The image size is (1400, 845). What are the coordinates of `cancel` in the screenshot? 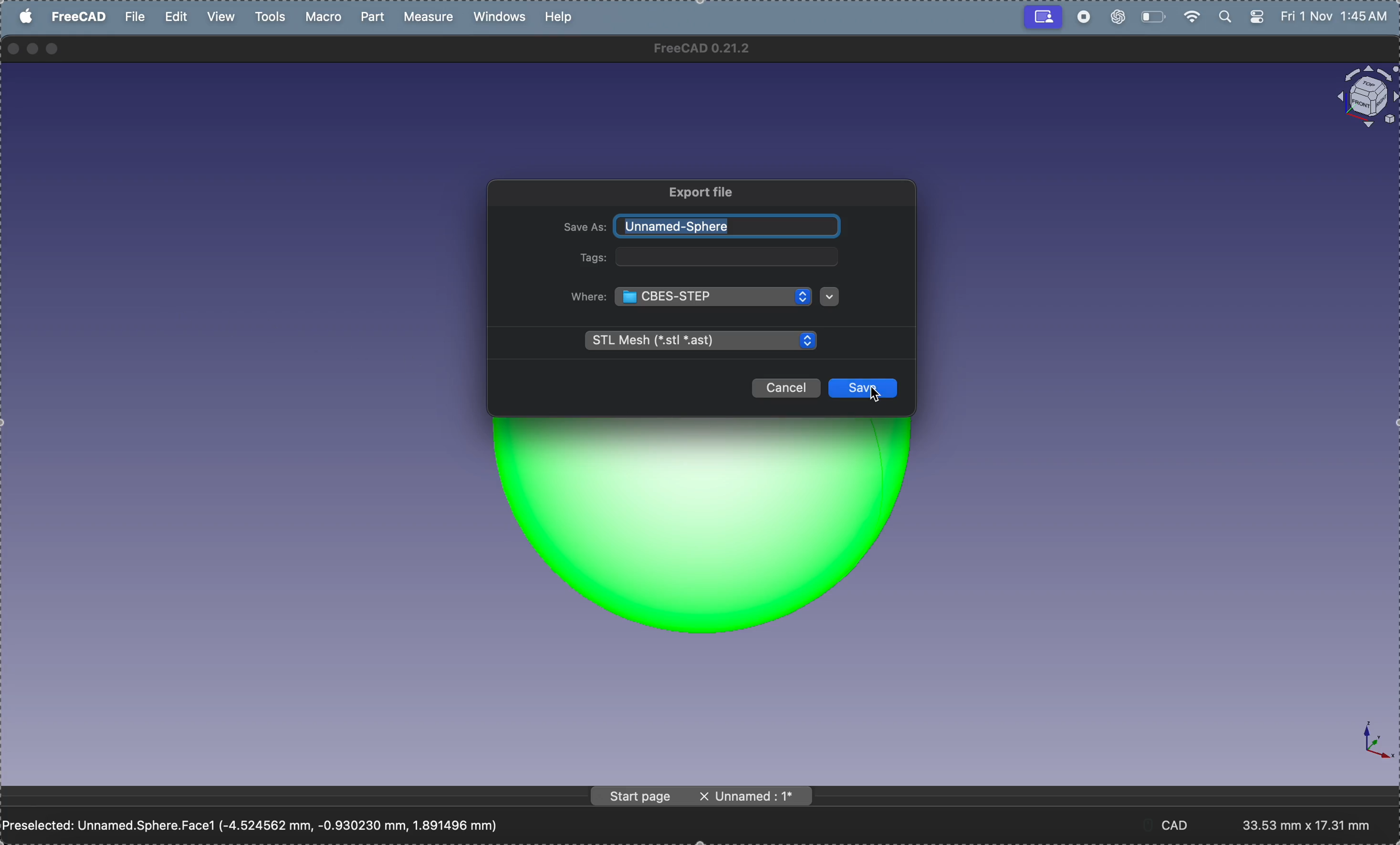 It's located at (785, 390).